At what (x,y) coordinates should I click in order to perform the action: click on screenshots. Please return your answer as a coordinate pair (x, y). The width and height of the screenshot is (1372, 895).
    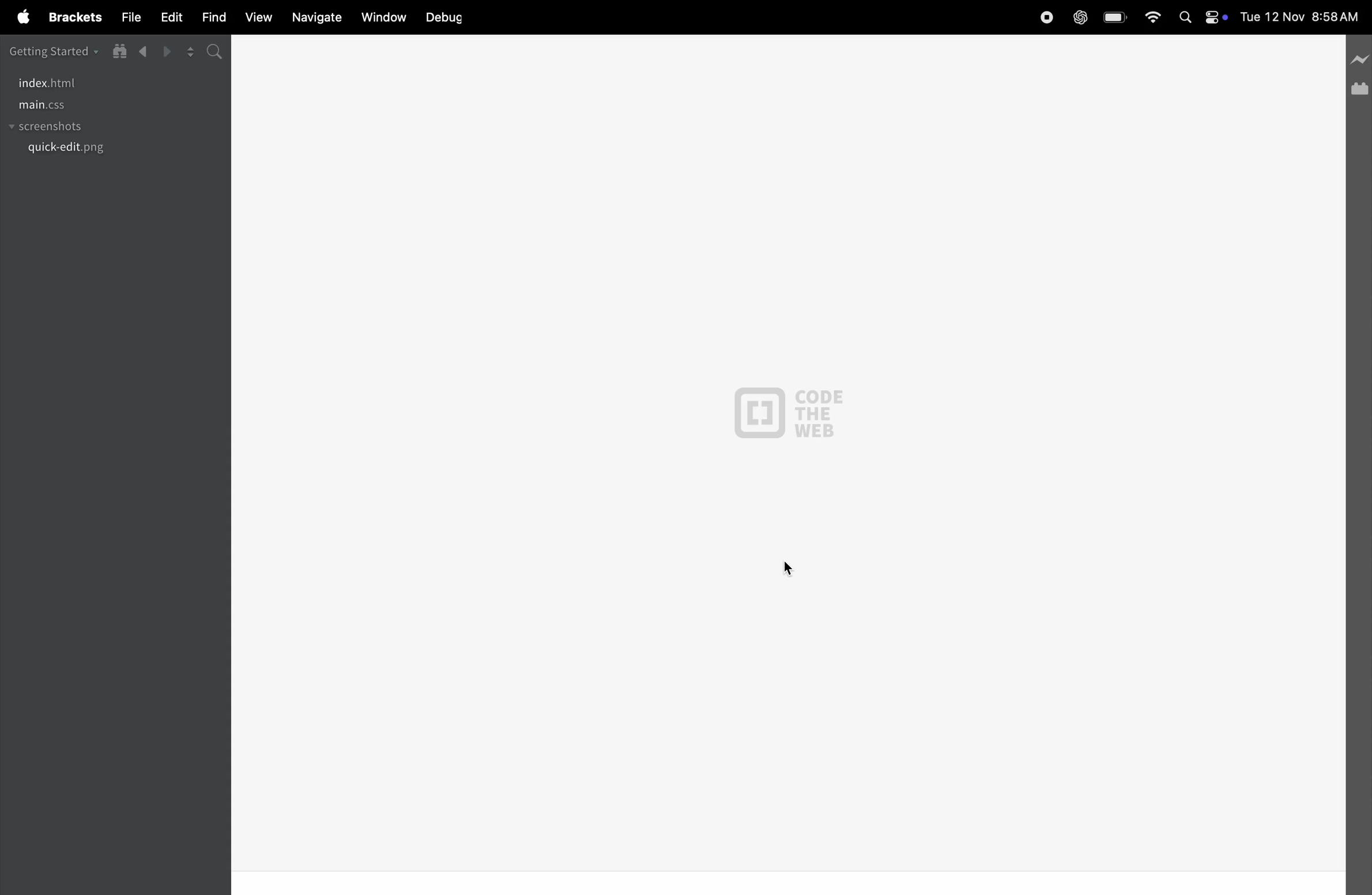
    Looking at the image, I should click on (70, 128).